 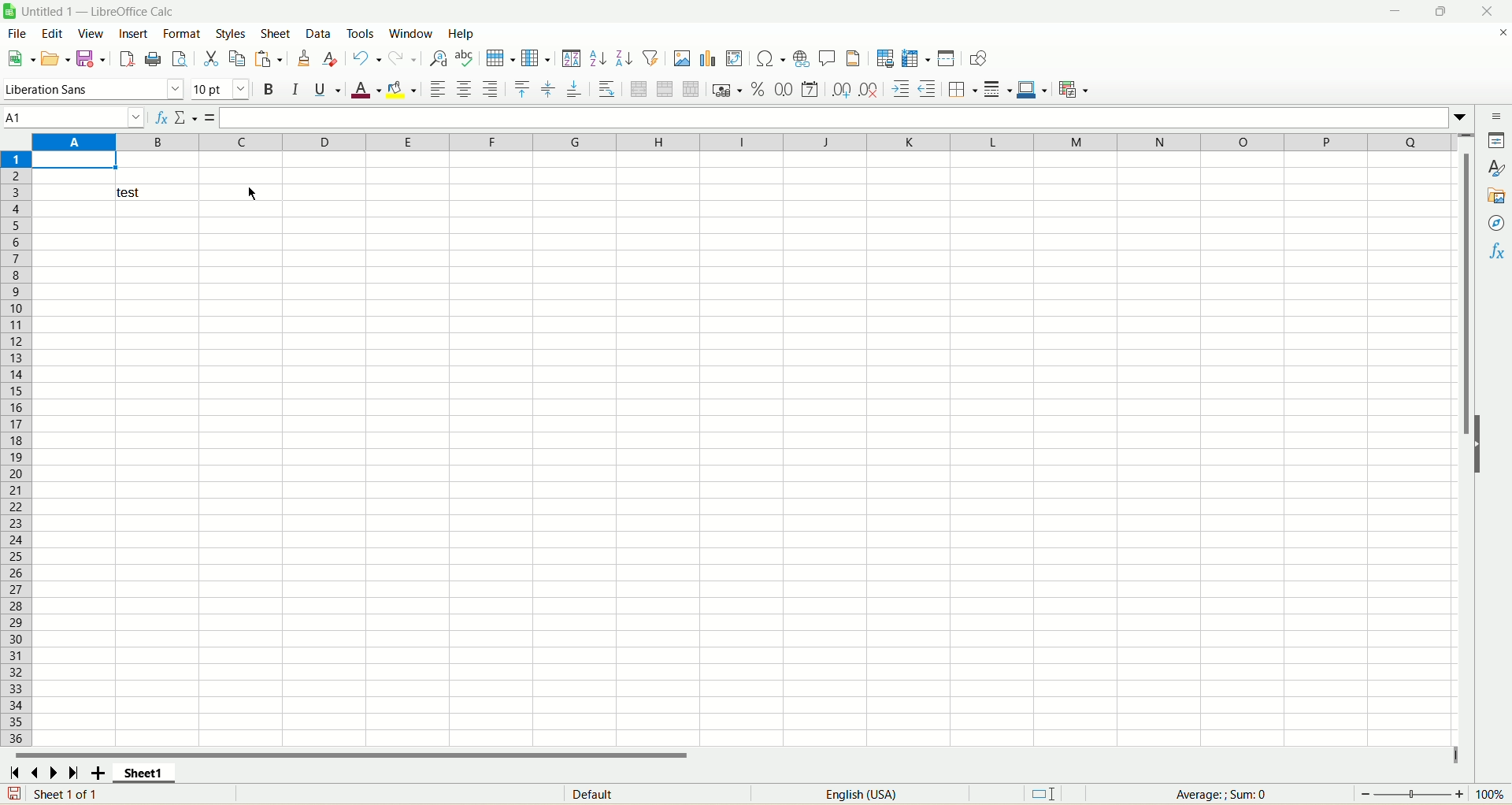 What do you see at coordinates (744, 142) in the screenshot?
I see `column divisions ` at bounding box center [744, 142].